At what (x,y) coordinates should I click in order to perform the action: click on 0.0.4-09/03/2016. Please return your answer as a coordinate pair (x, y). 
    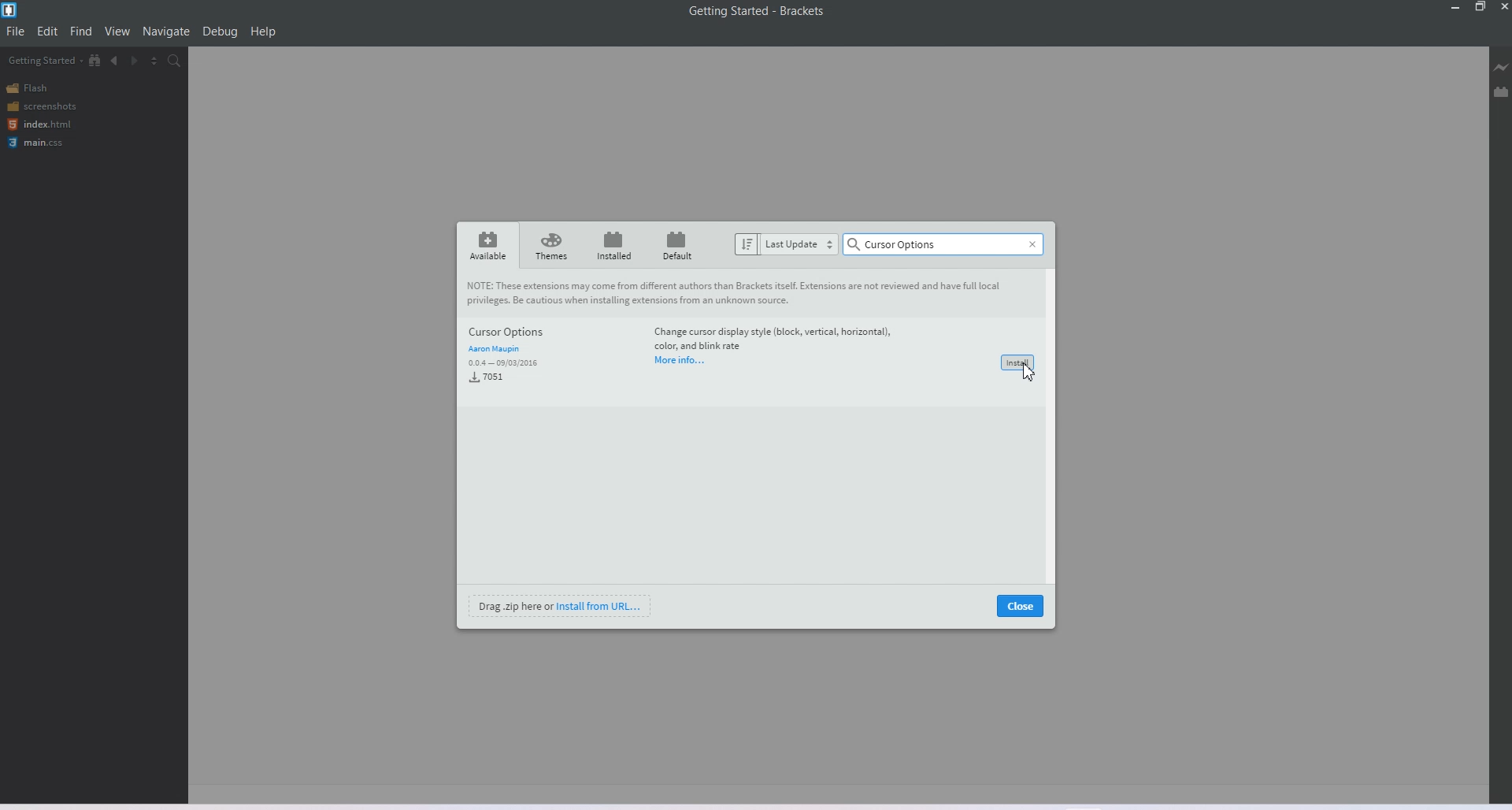
    Looking at the image, I should click on (504, 364).